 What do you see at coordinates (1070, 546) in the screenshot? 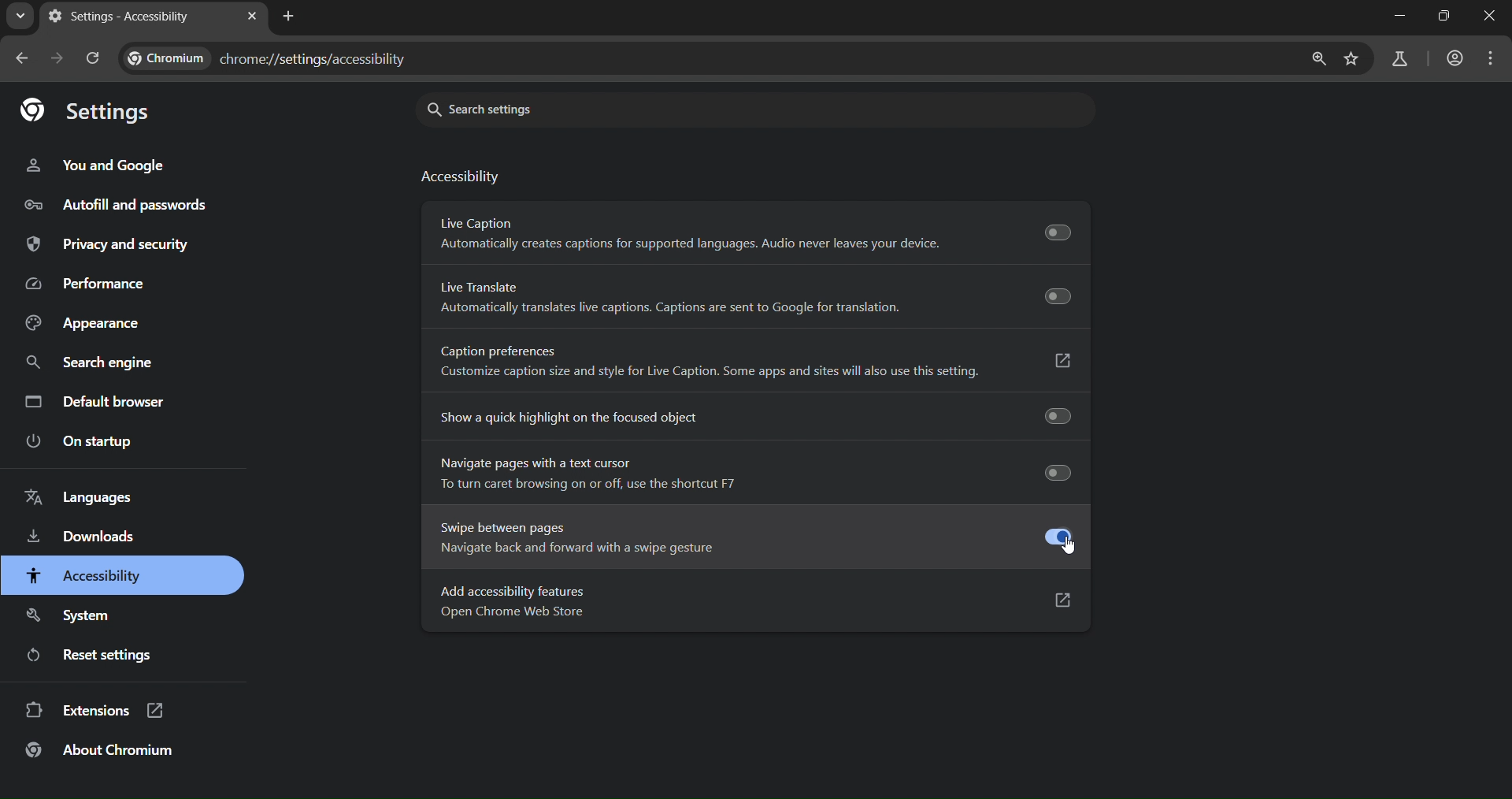
I see `cursor` at bounding box center [1070, 546].